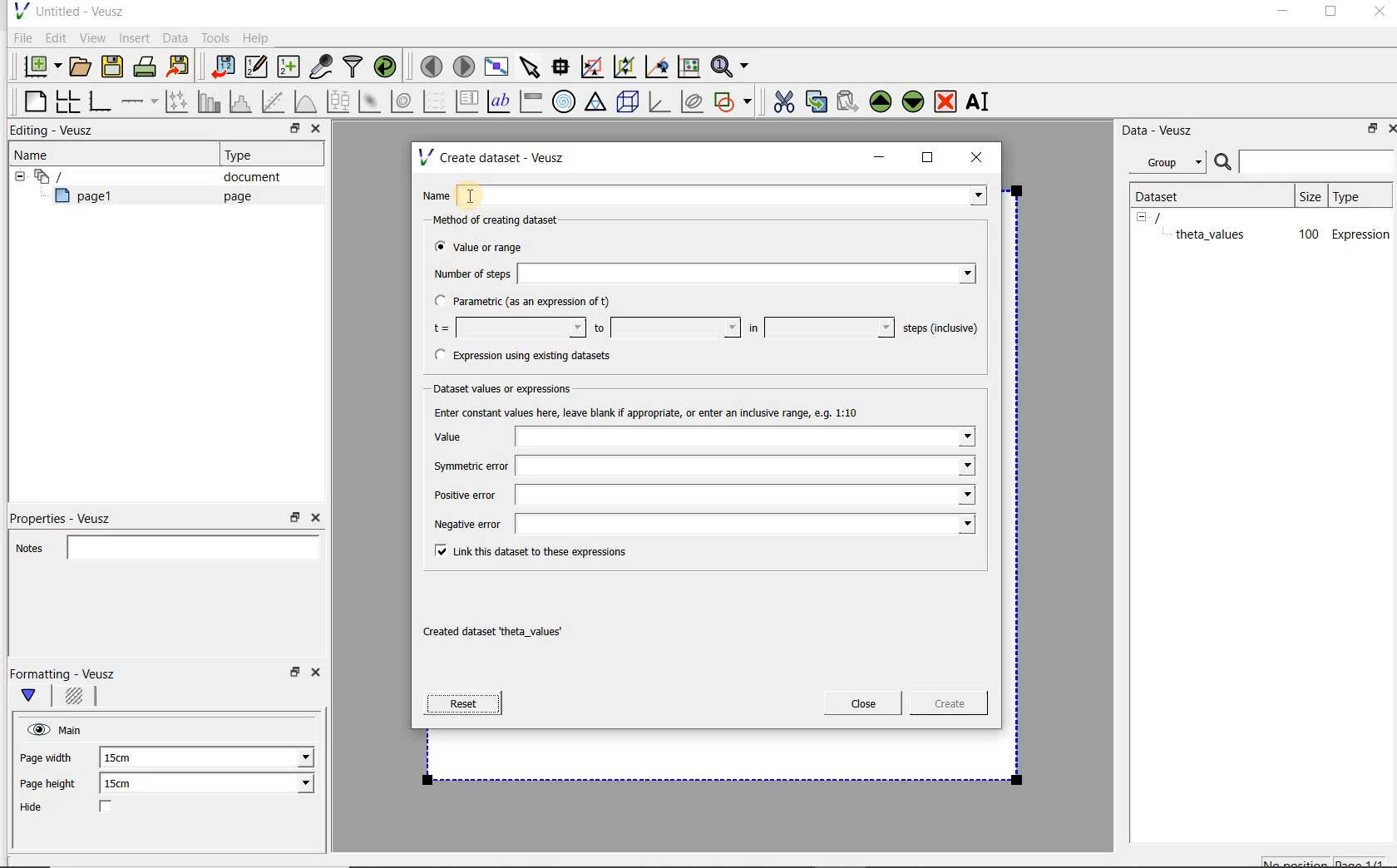 The image size is (1397, 868). Describe the element at coordinates (702, 467) in the screenshot. I see `Symmetric error` at that location.